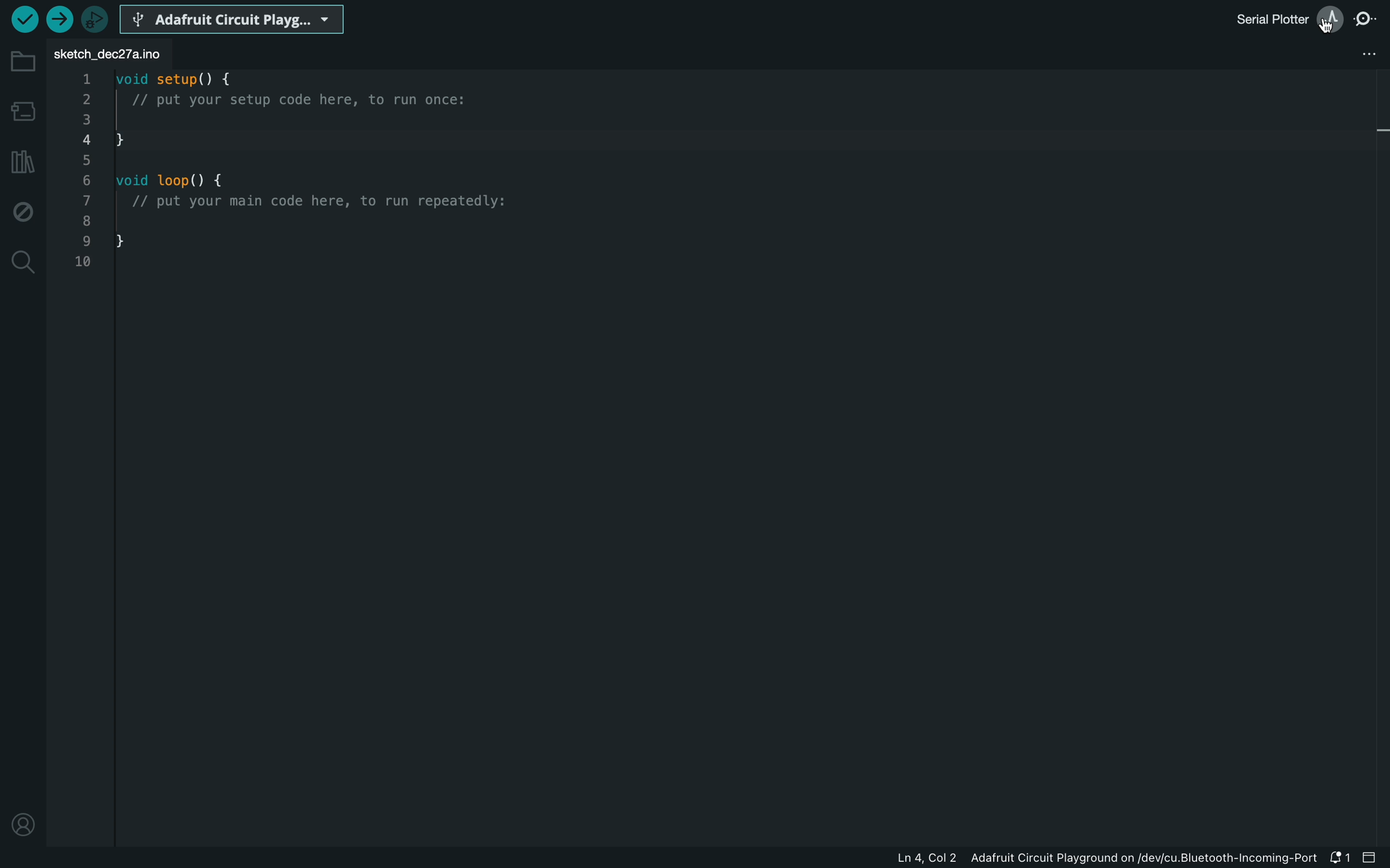  What do you see at coordinates (1367, 52) in the screenshot?
I see `file setting` at bounding box center [1367, 52].